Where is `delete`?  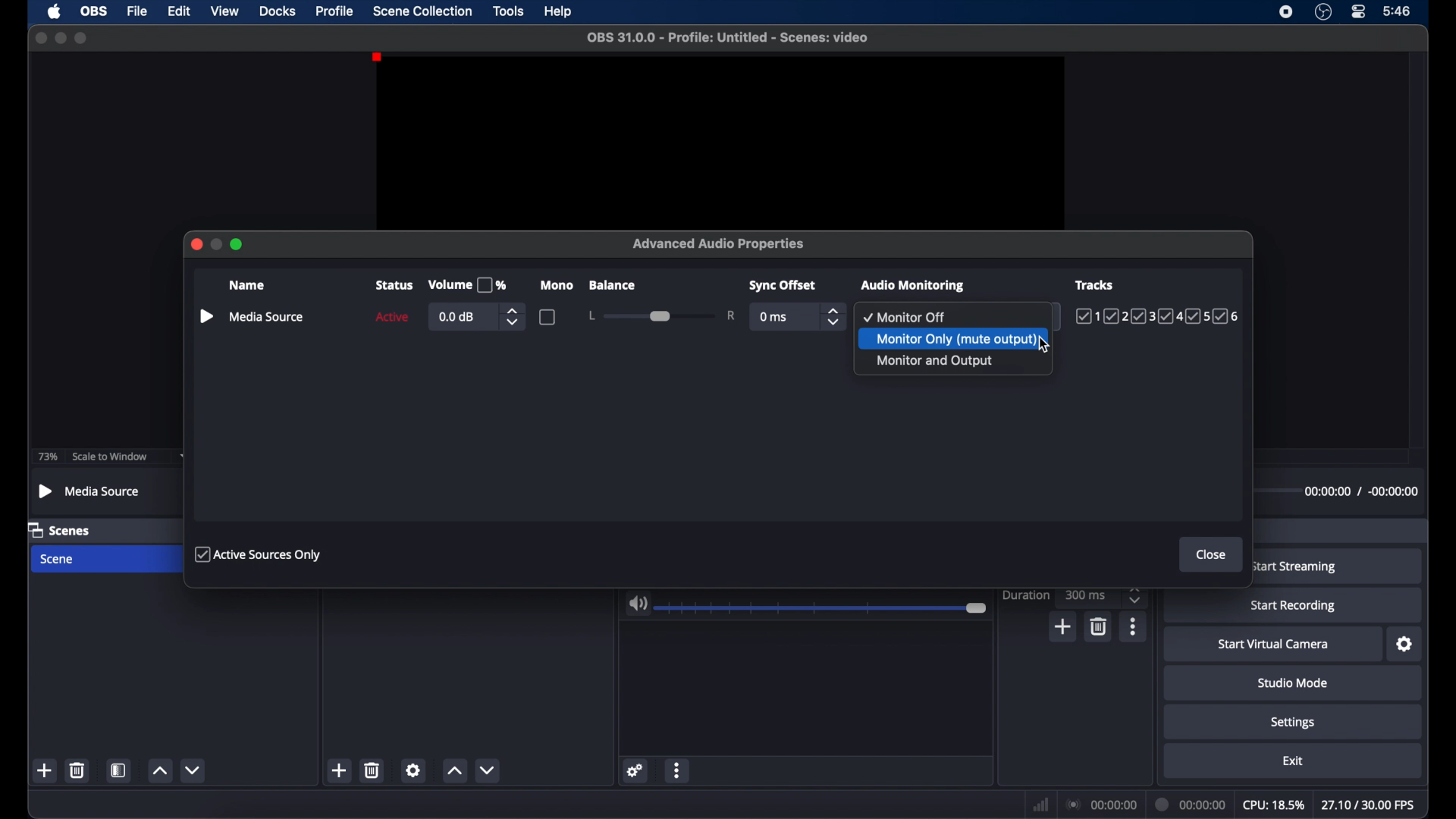
delete is located at coordinates (373, 770).